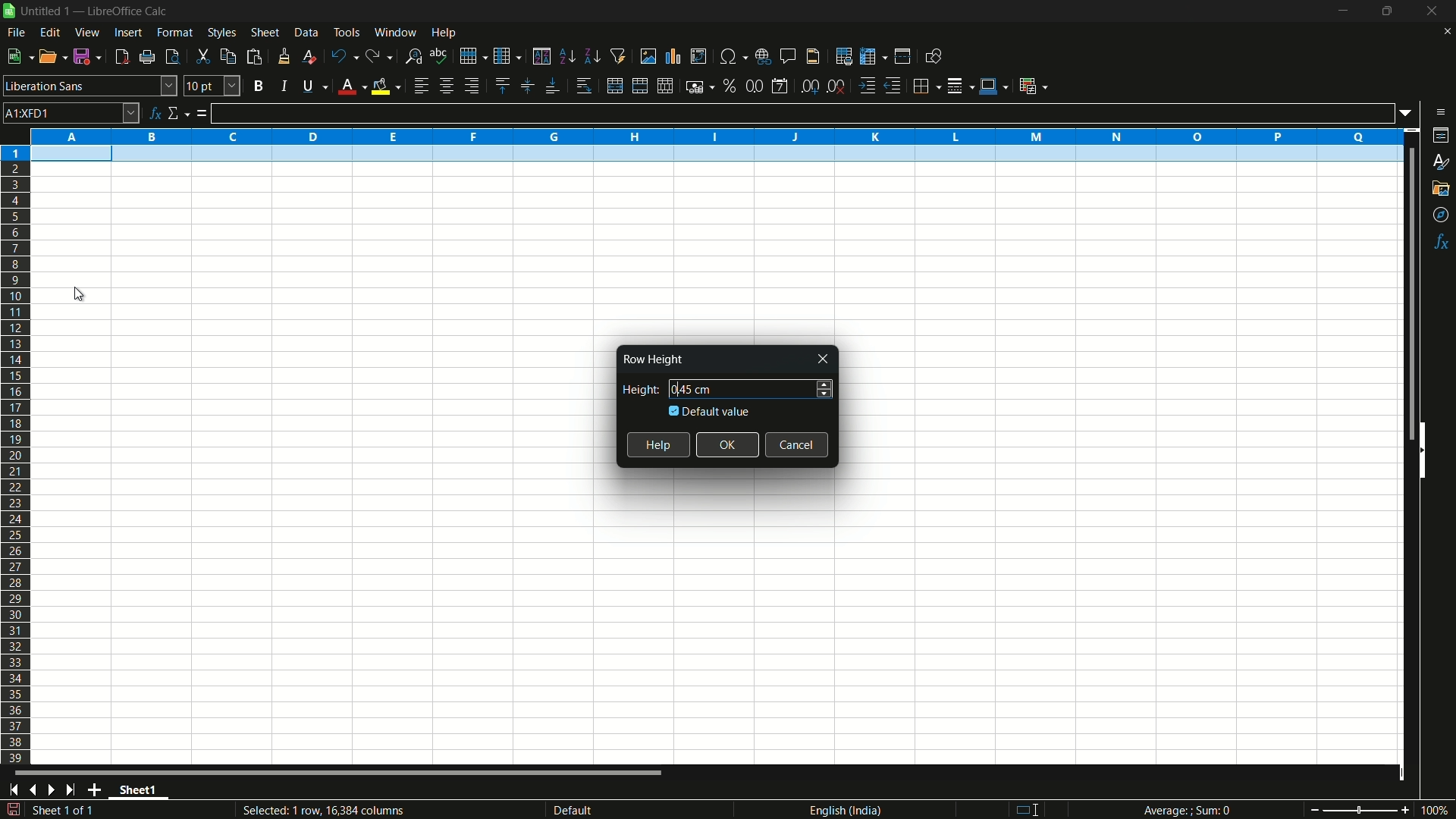 Image resolution: width=1456 pixels, height=819 pixels. I want to click on functions, so click(1442, 242).